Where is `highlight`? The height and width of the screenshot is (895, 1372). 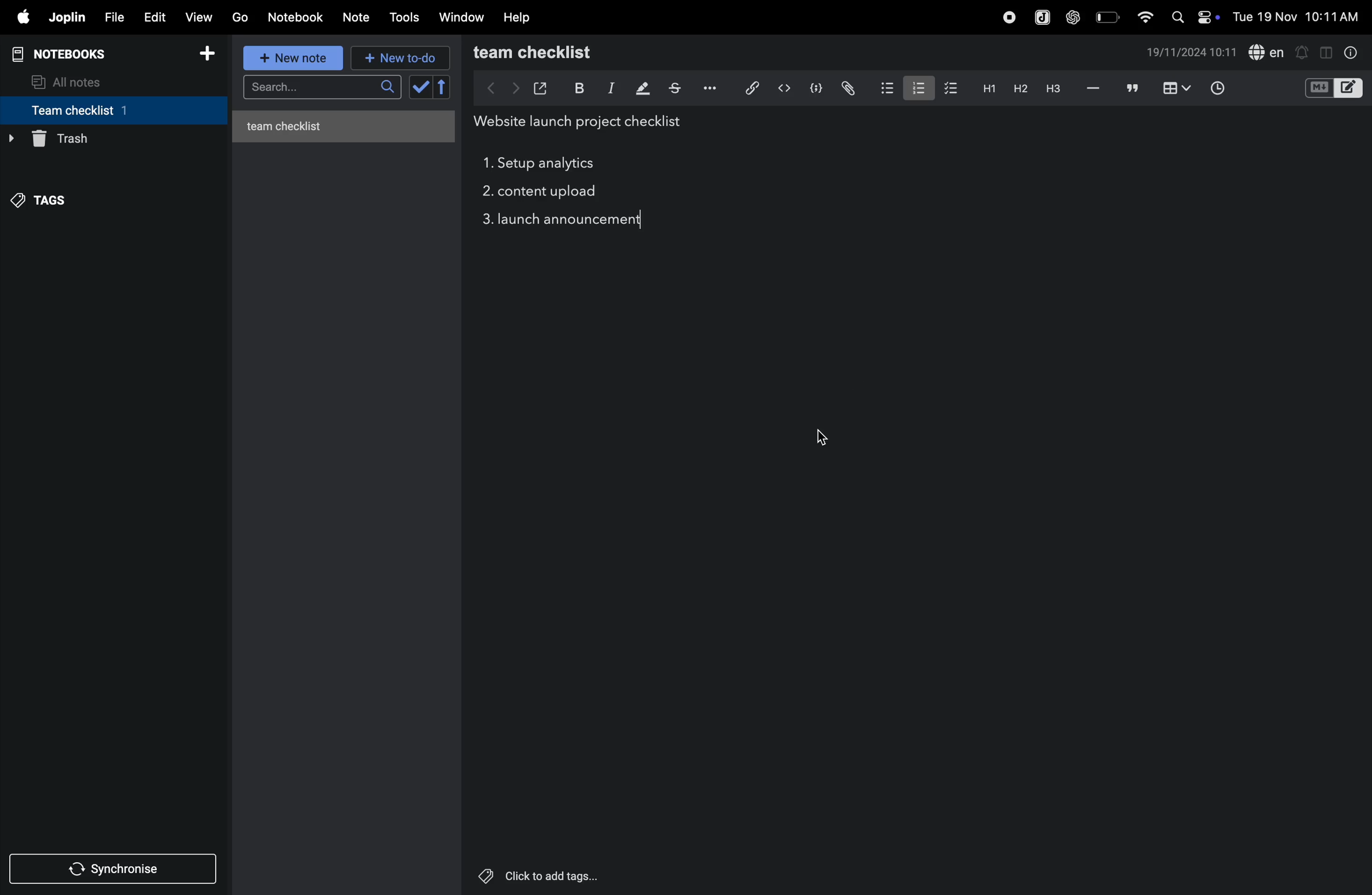 highlight is located at coordinates (641, 89).